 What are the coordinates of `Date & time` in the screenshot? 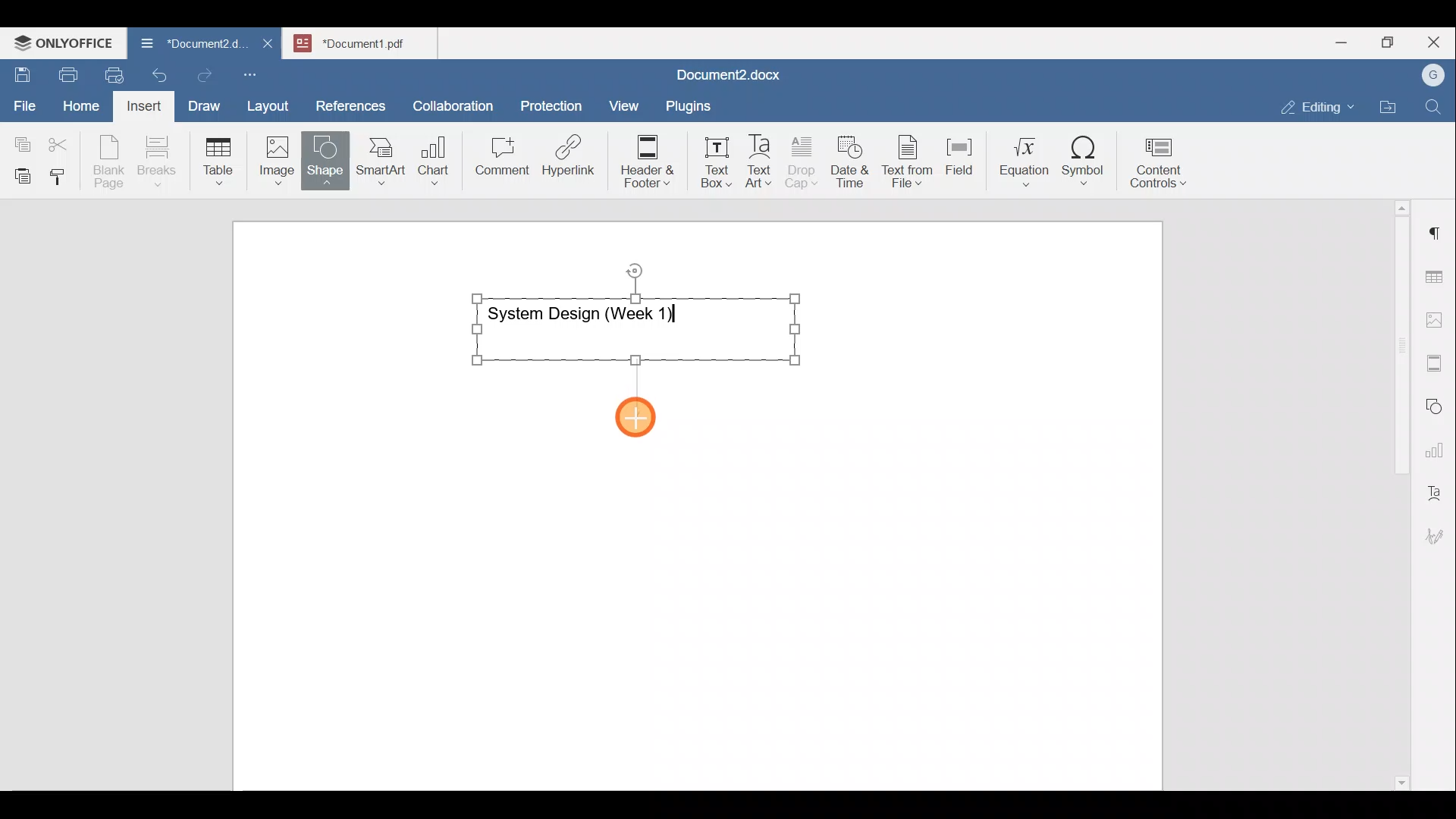 It's located at (851, 159).